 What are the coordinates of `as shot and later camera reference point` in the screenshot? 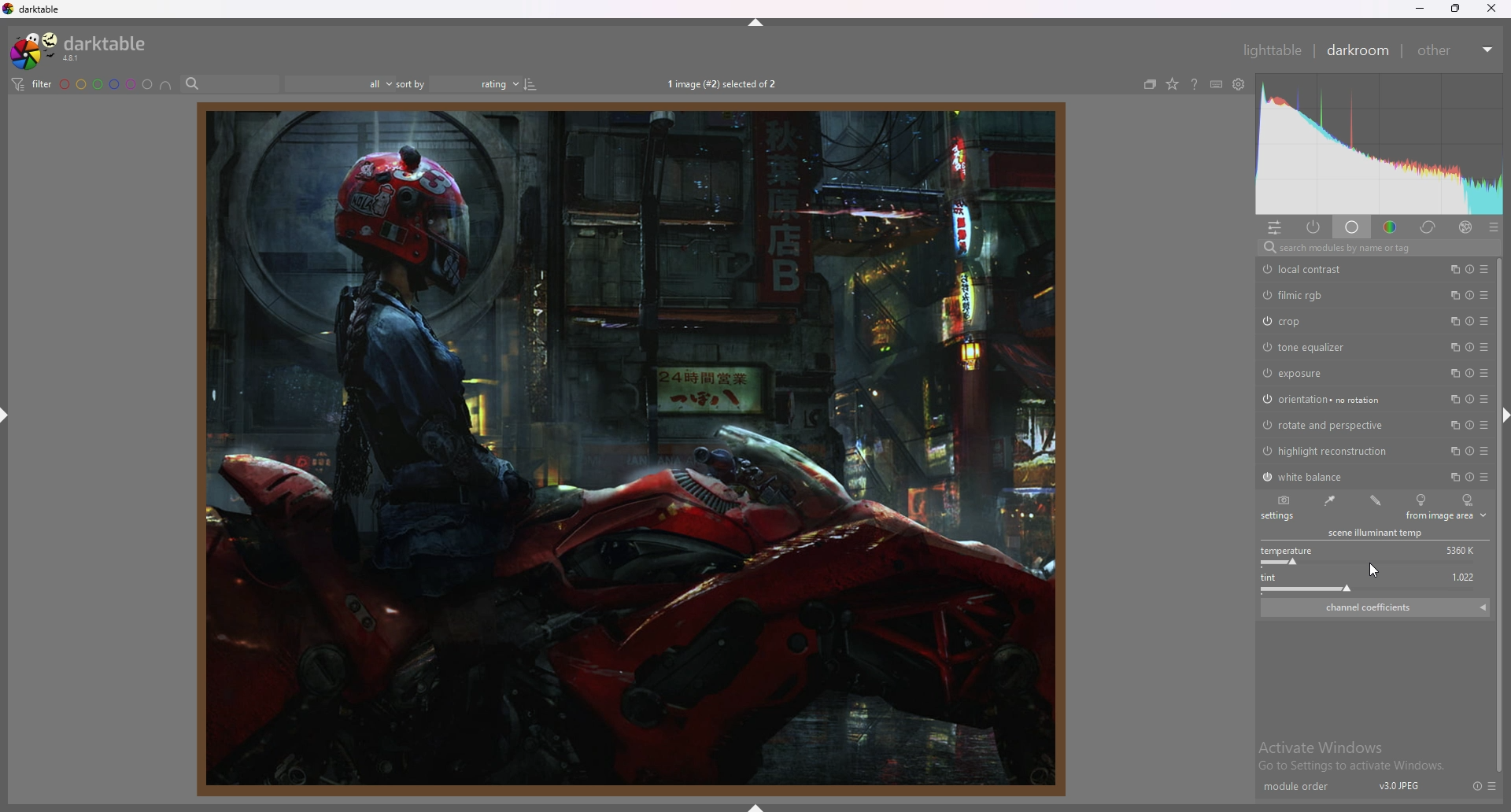 It's located at (1468, 500).